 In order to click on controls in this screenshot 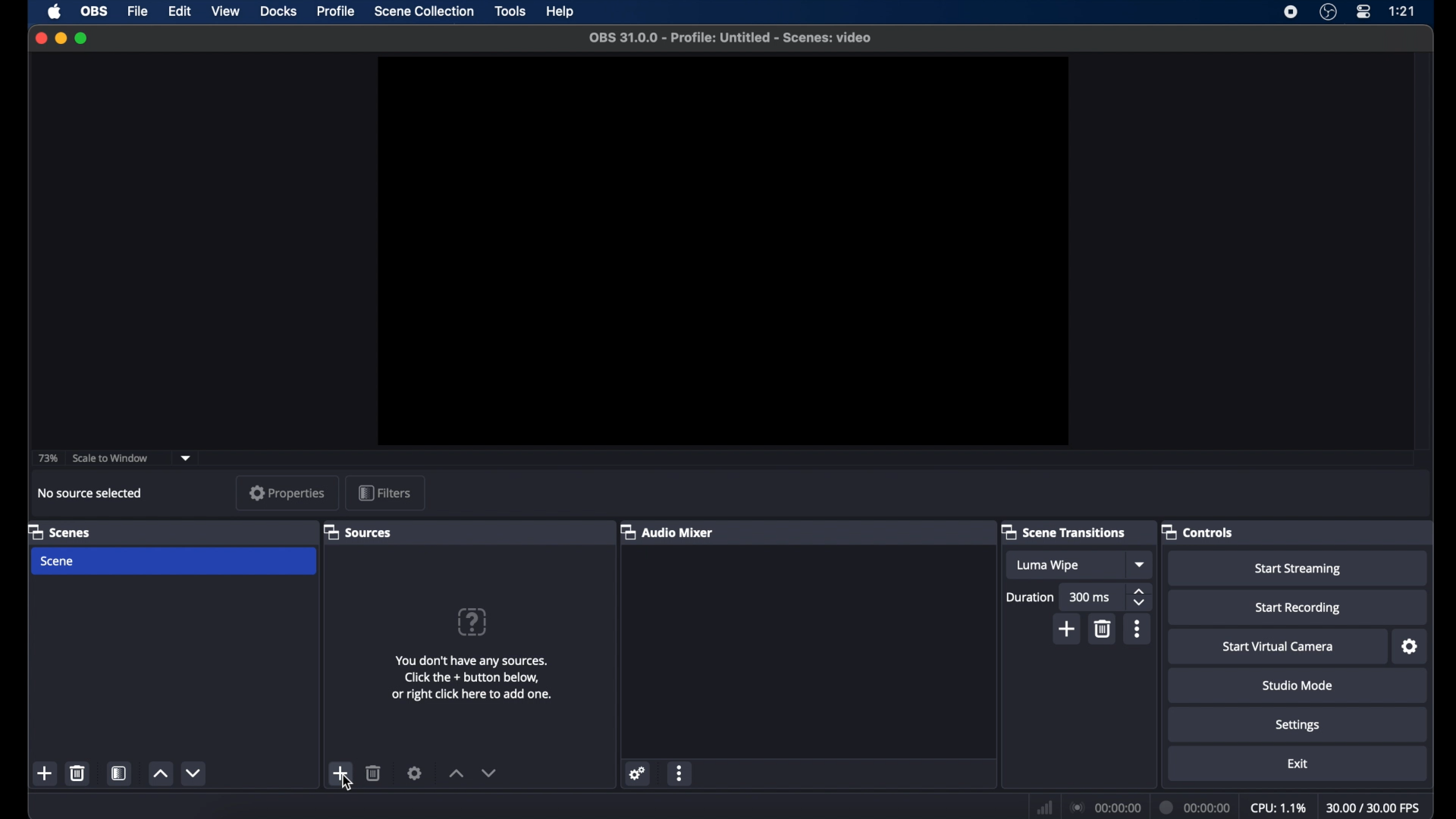, I will do `click(1200, 532)`.